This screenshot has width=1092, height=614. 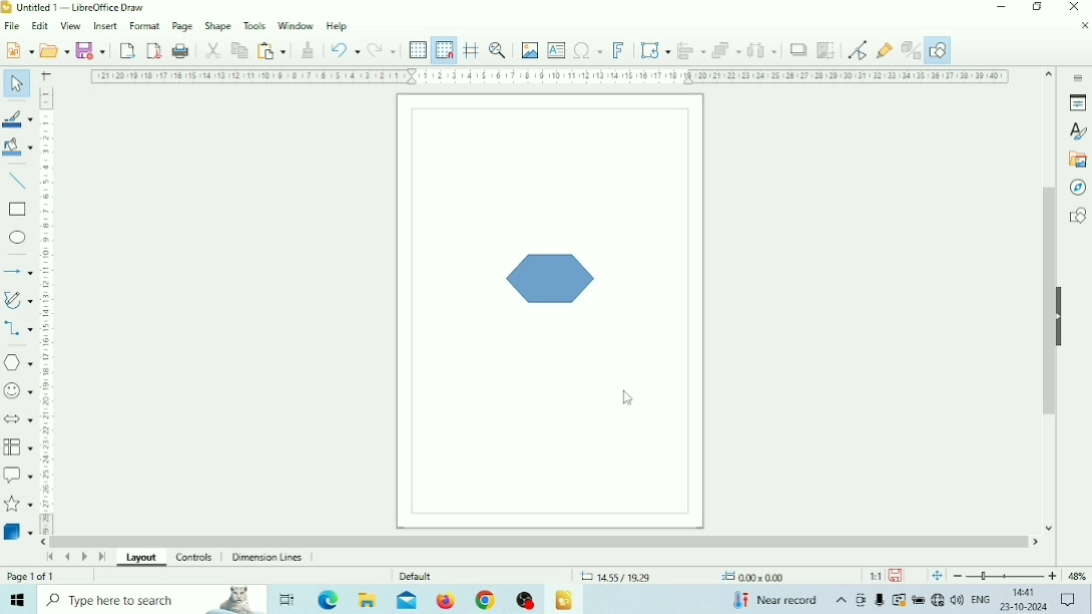 I want to click on Save, so click(x=896, y=576).